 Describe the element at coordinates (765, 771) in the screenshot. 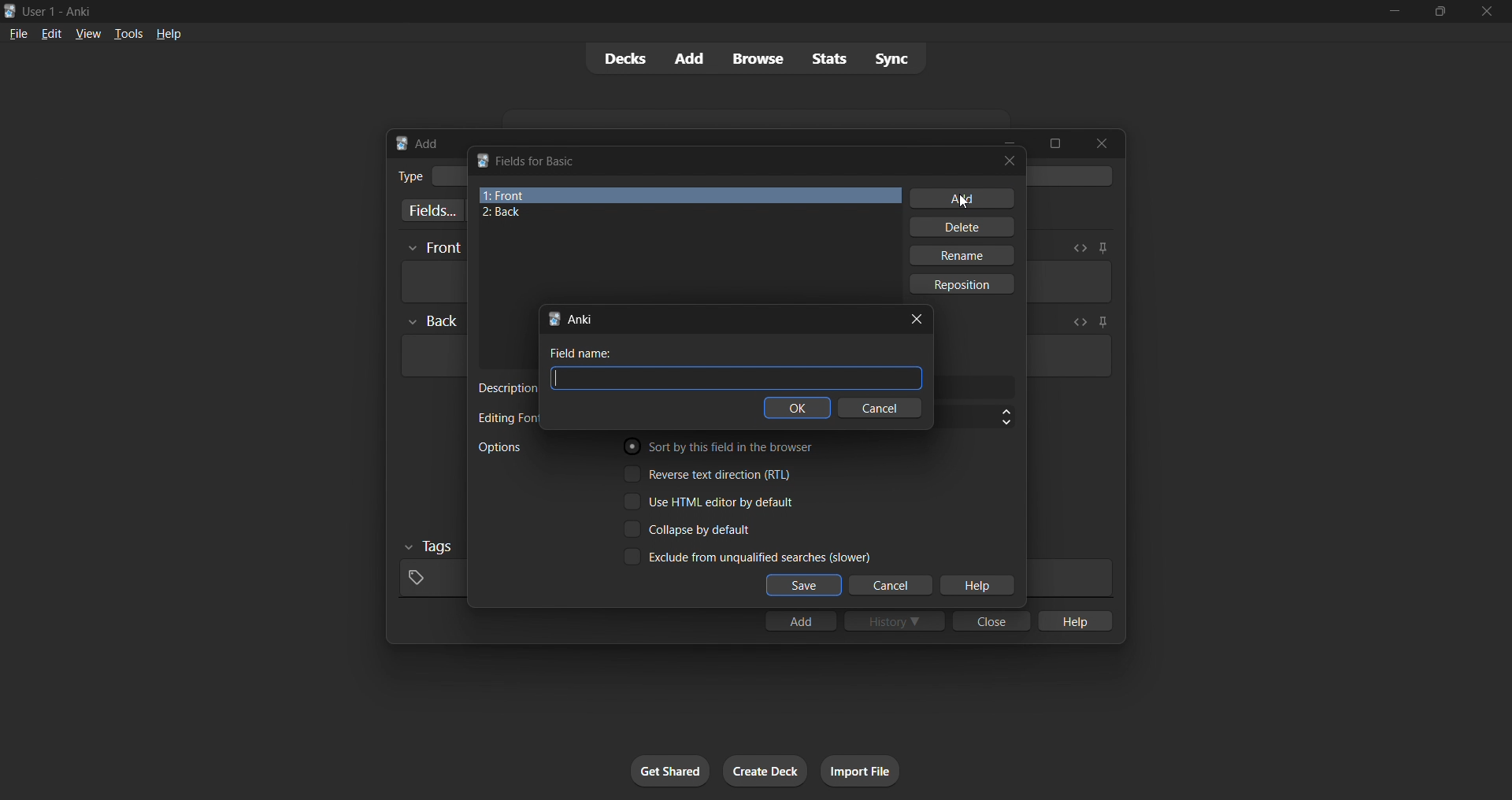

I see `create deck` at that location.